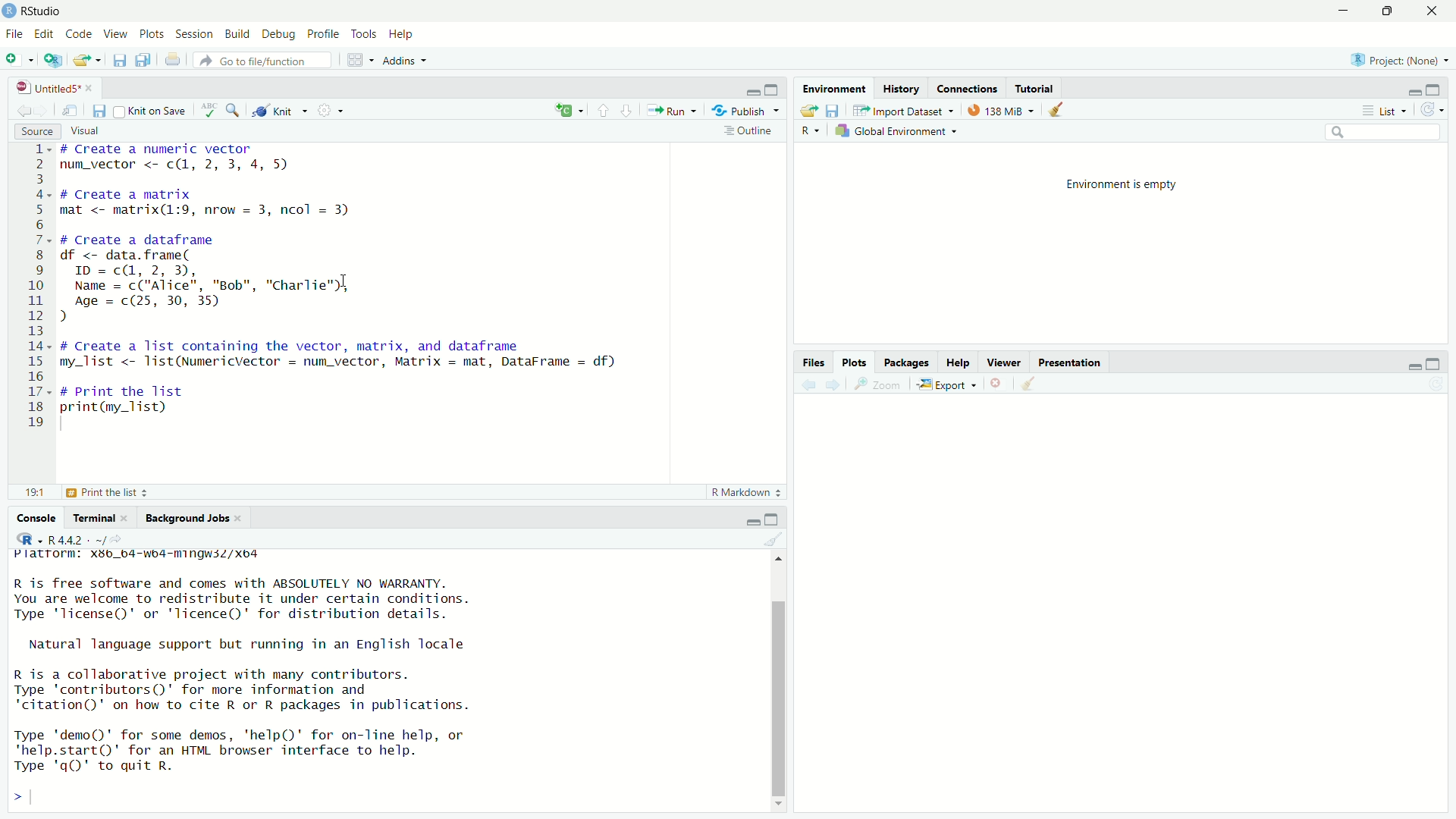 This screenshot has width=1456, height=819. Describe the element at coordinates (1003, 384) in the screenshot. I see `close` at that location.